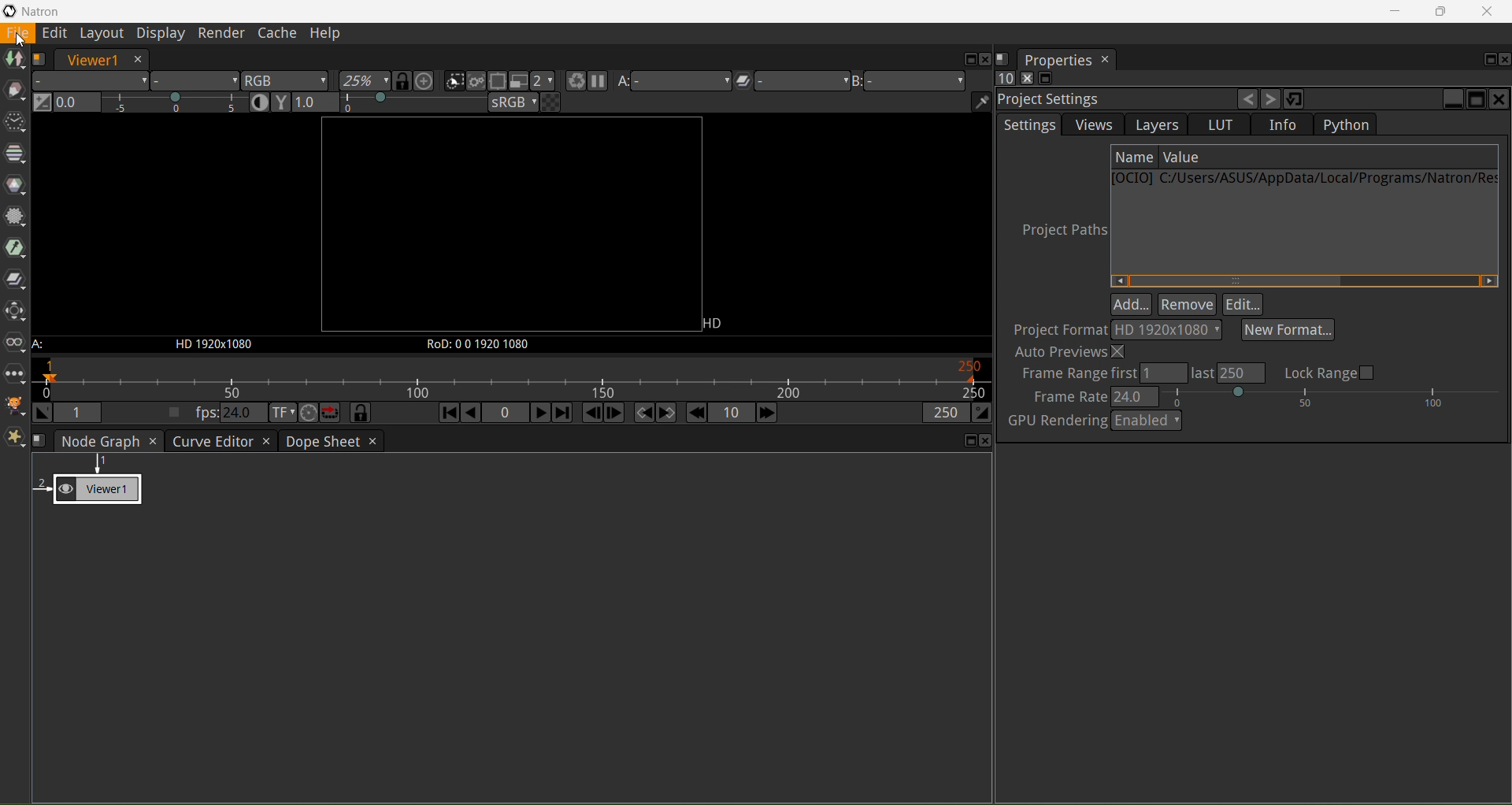 Image resolution: width=1512 pixels, height=805 pixels. Describe the element at coordinates (472, 414) in the screenshot. I see `Play backward` at that location.